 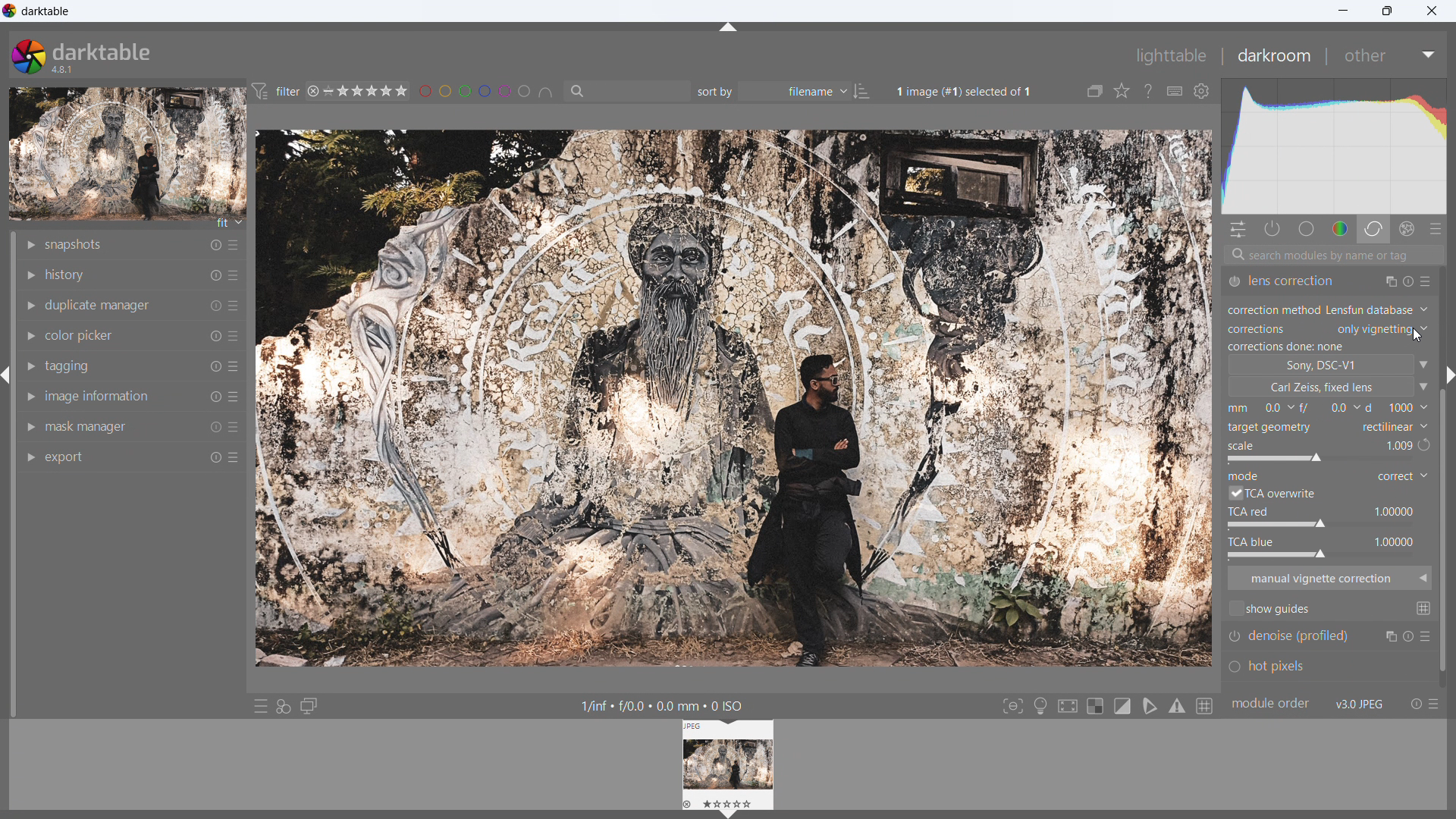 What do you see at coordinates (127, 151) in the screenshot?
I see `image preview` at bounding box center [127, 151].